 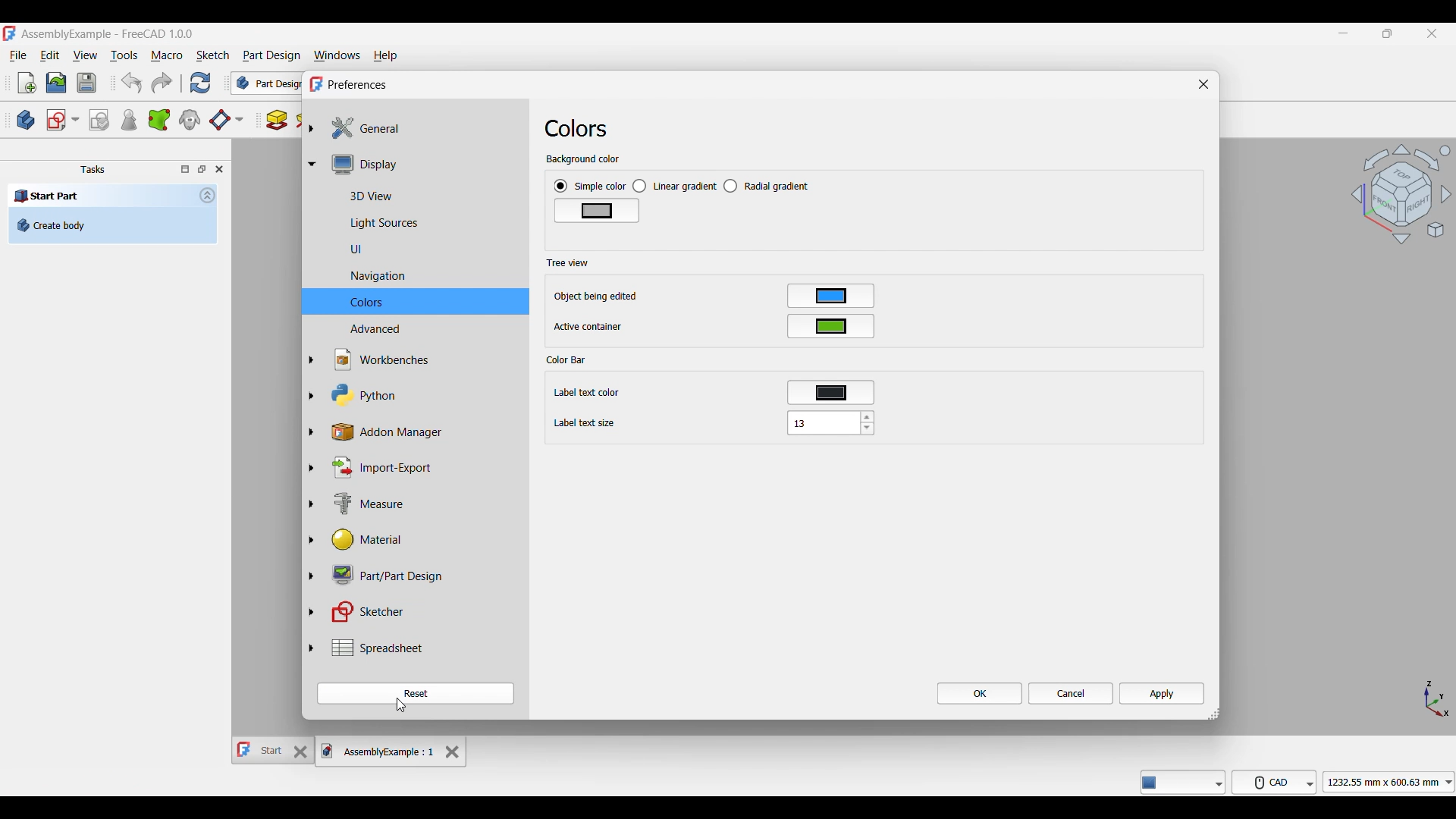 What do you see at coordinates (1387, 33) in the screenshot?
I see `Show in smaller tab` at bounding box center [1387, 33].